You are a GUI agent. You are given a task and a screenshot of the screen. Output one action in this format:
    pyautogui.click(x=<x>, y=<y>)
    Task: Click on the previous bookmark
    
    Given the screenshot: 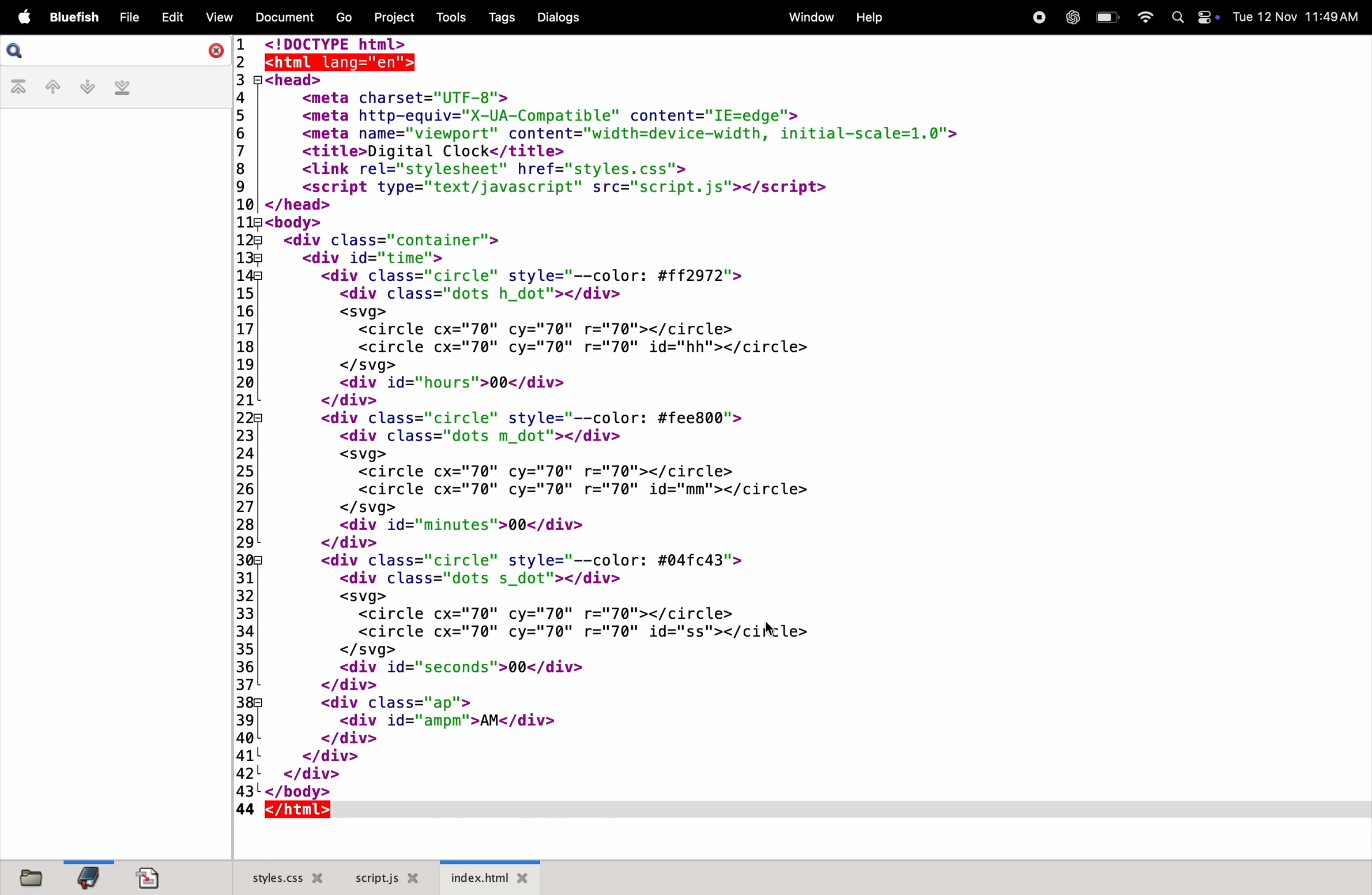 What is the action you would take?
    pyautogui.click(x=54, y=85)
    